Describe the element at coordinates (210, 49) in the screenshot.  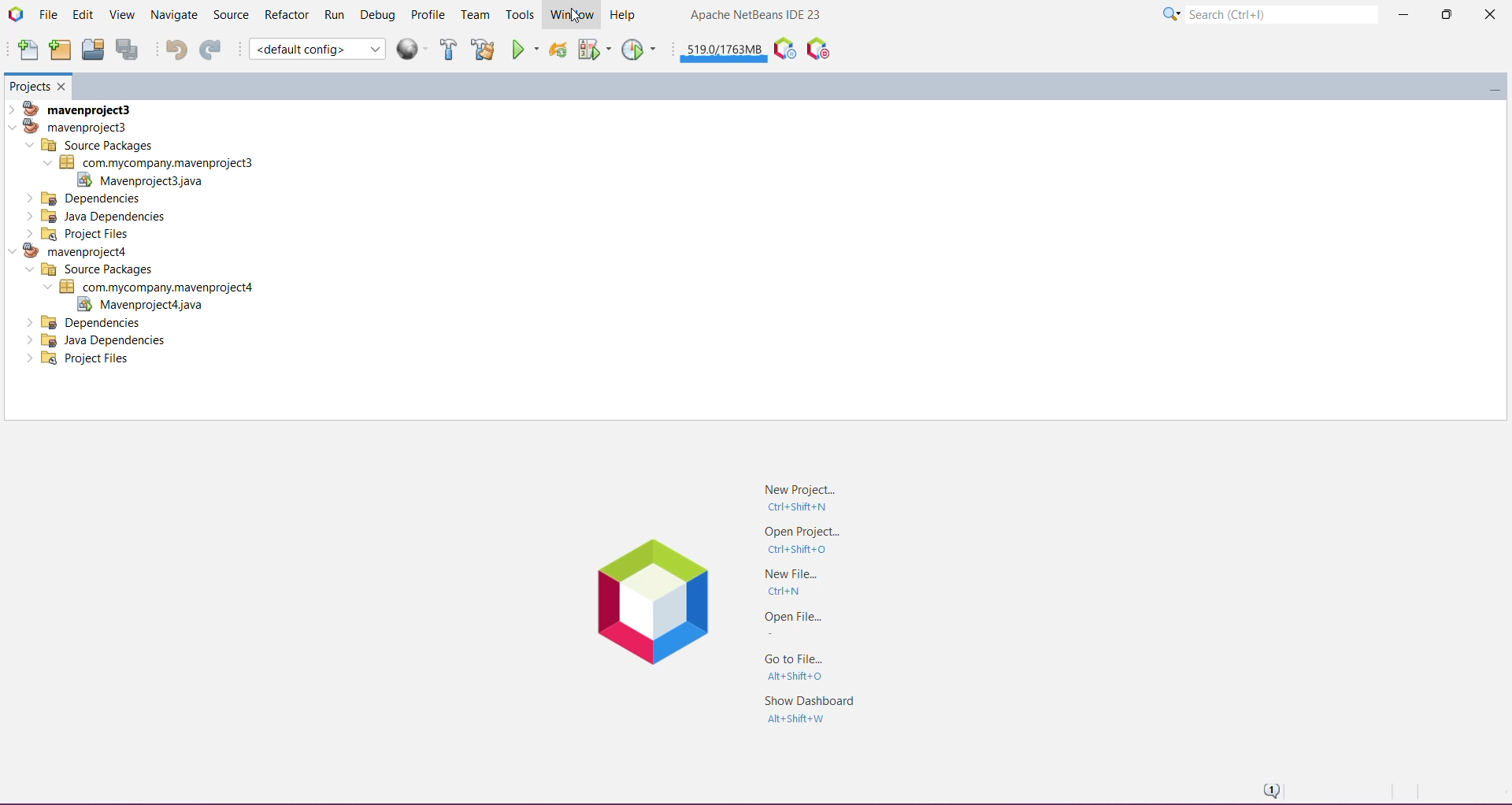
I see `Redo` at that location.